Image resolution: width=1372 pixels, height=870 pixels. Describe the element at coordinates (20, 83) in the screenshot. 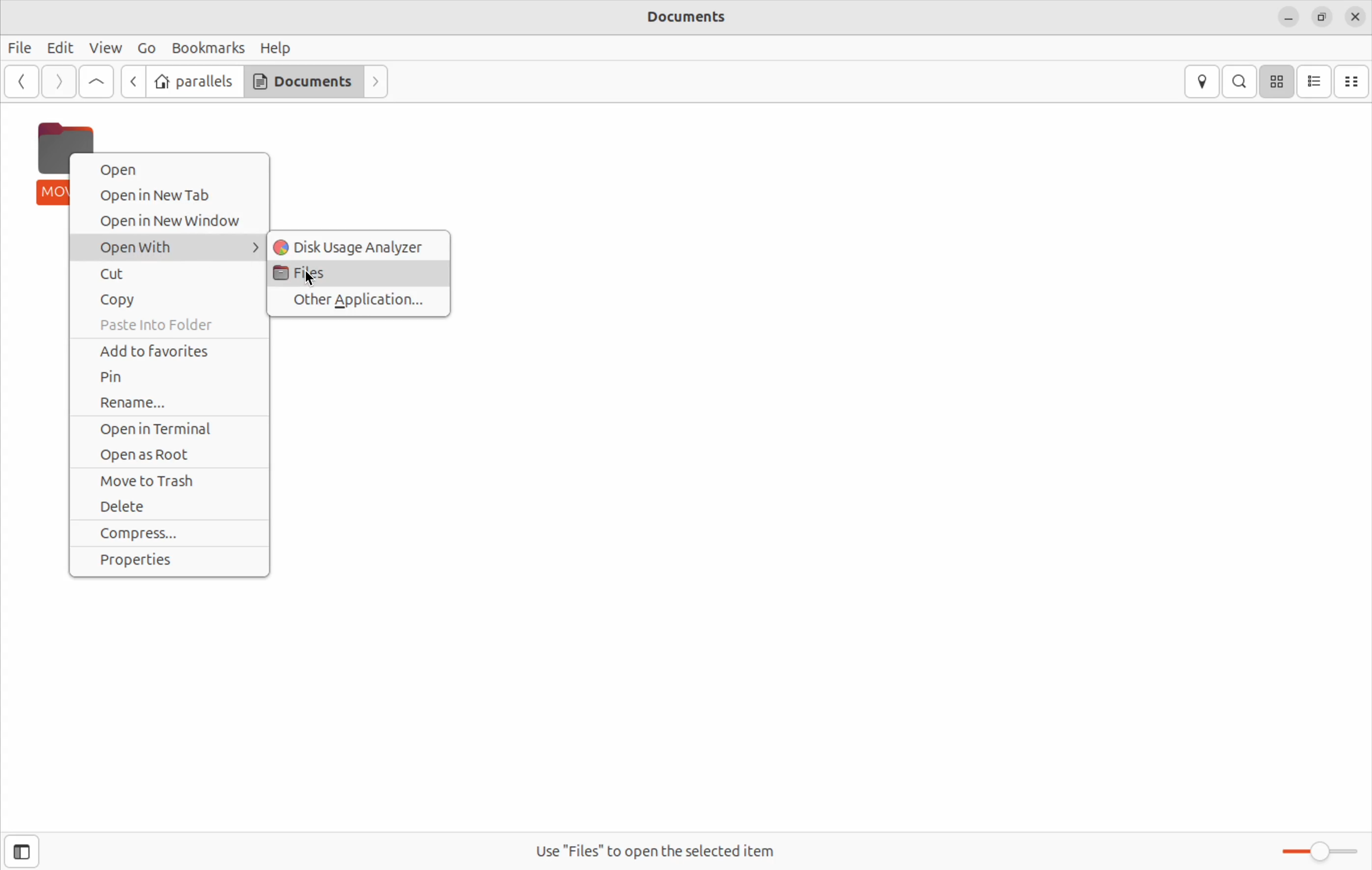

I see `back` at that location.